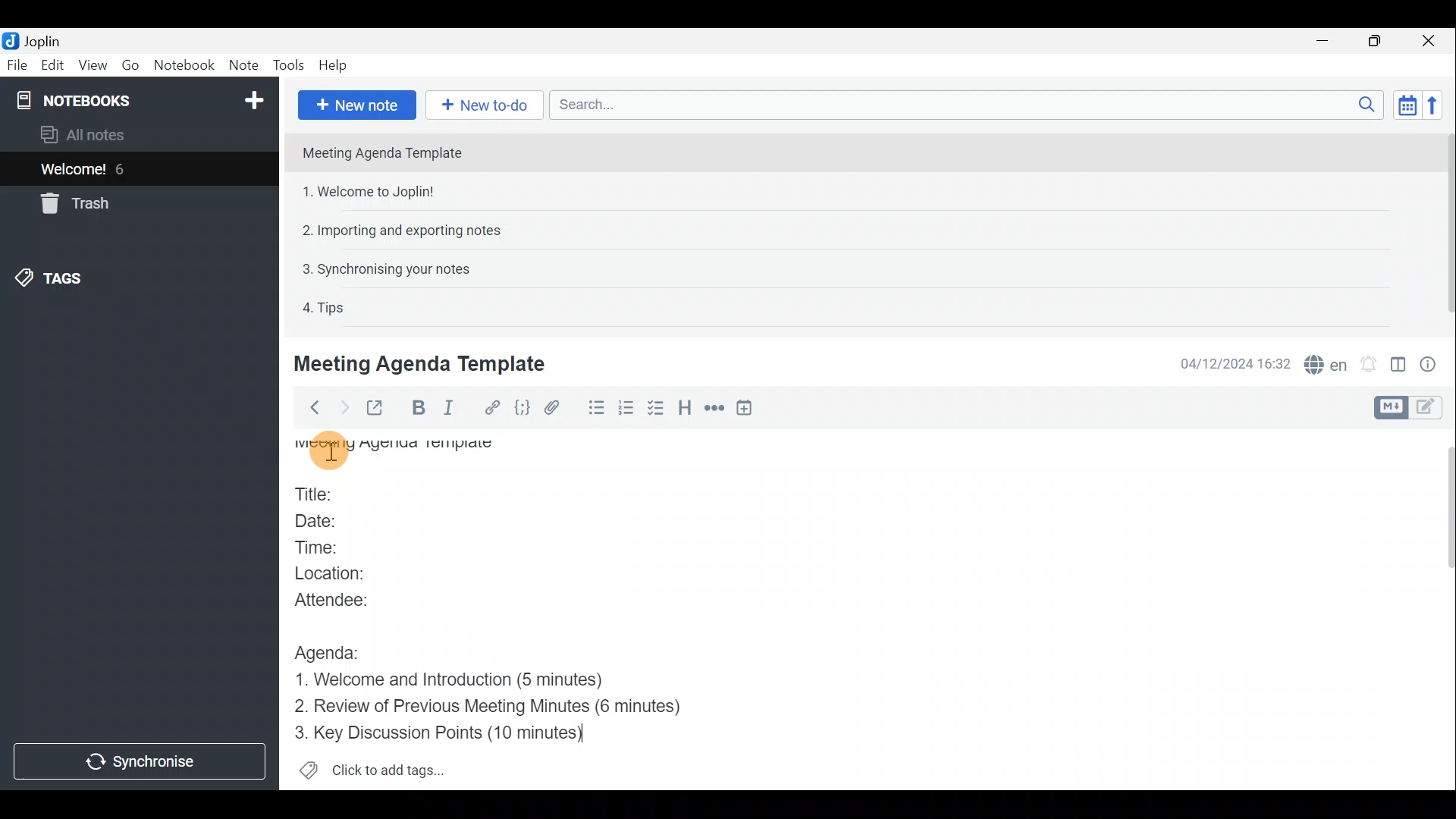 The height and width of the screenshot is (819, 1456). Describe the element at coordinates (1376, 42) in the screenshot. I see `Maximise` at that location.